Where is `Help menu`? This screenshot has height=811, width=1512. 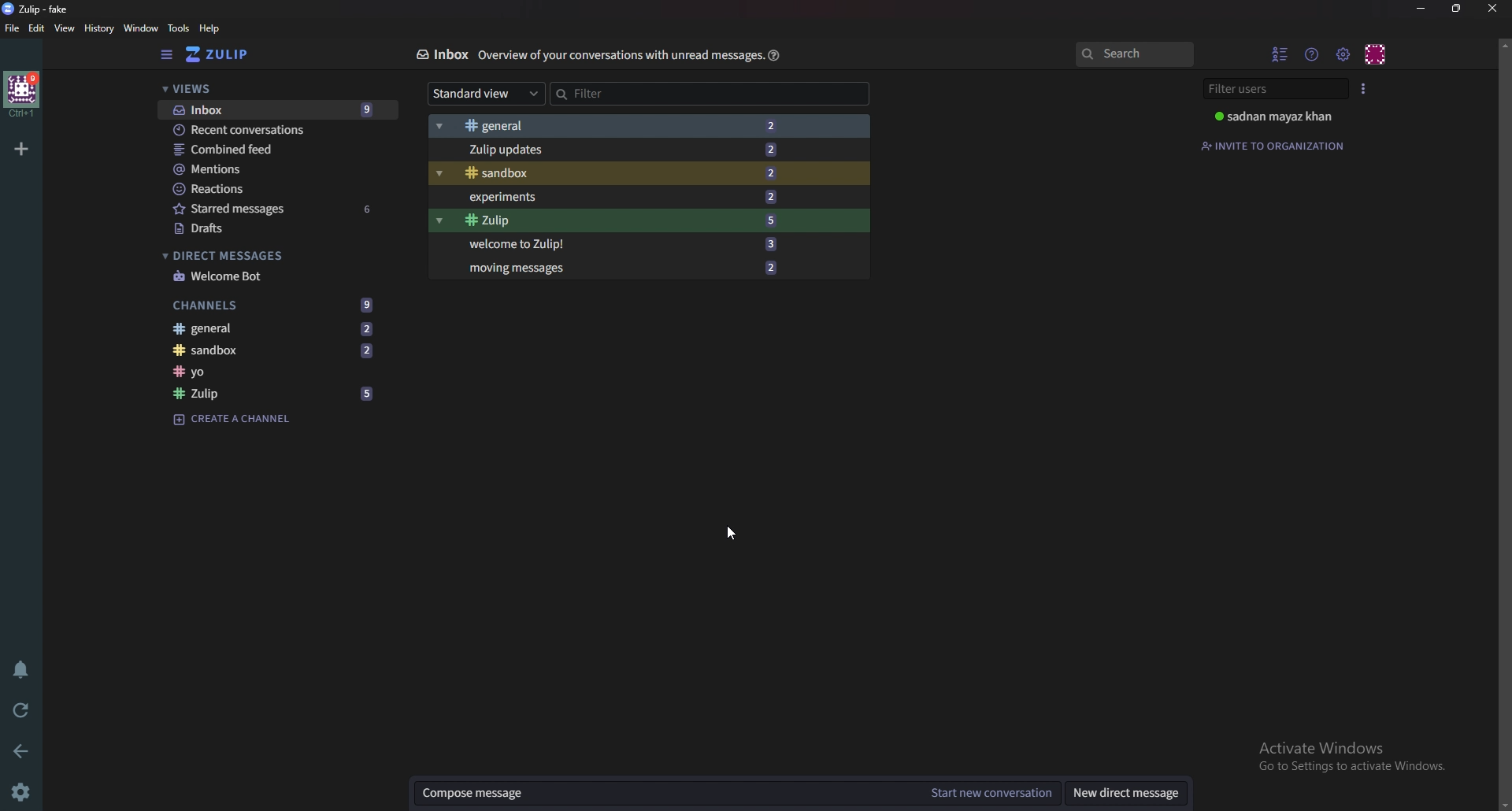 Help menu is located at coordinates (1311, 54).